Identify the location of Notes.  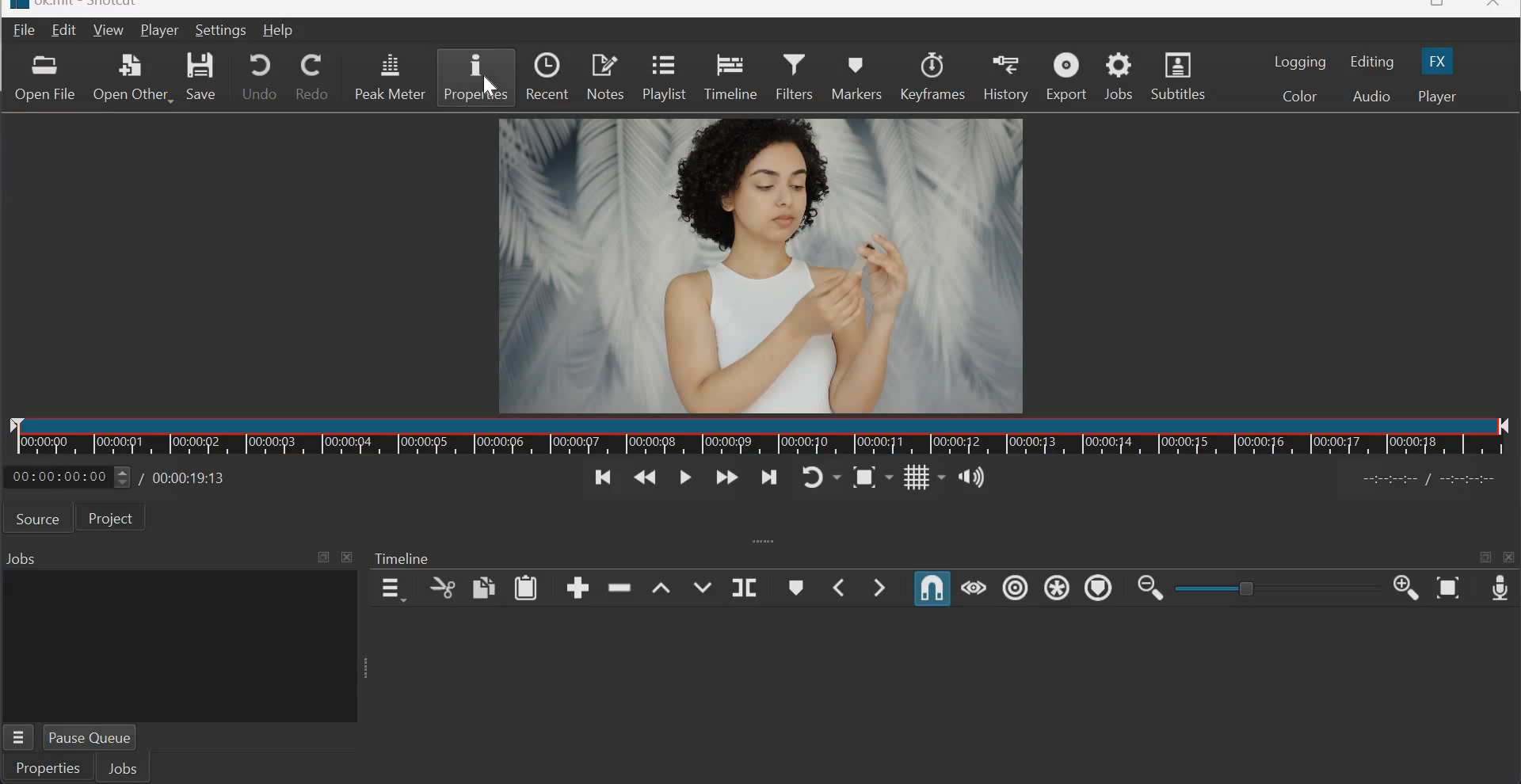
(606, 77).